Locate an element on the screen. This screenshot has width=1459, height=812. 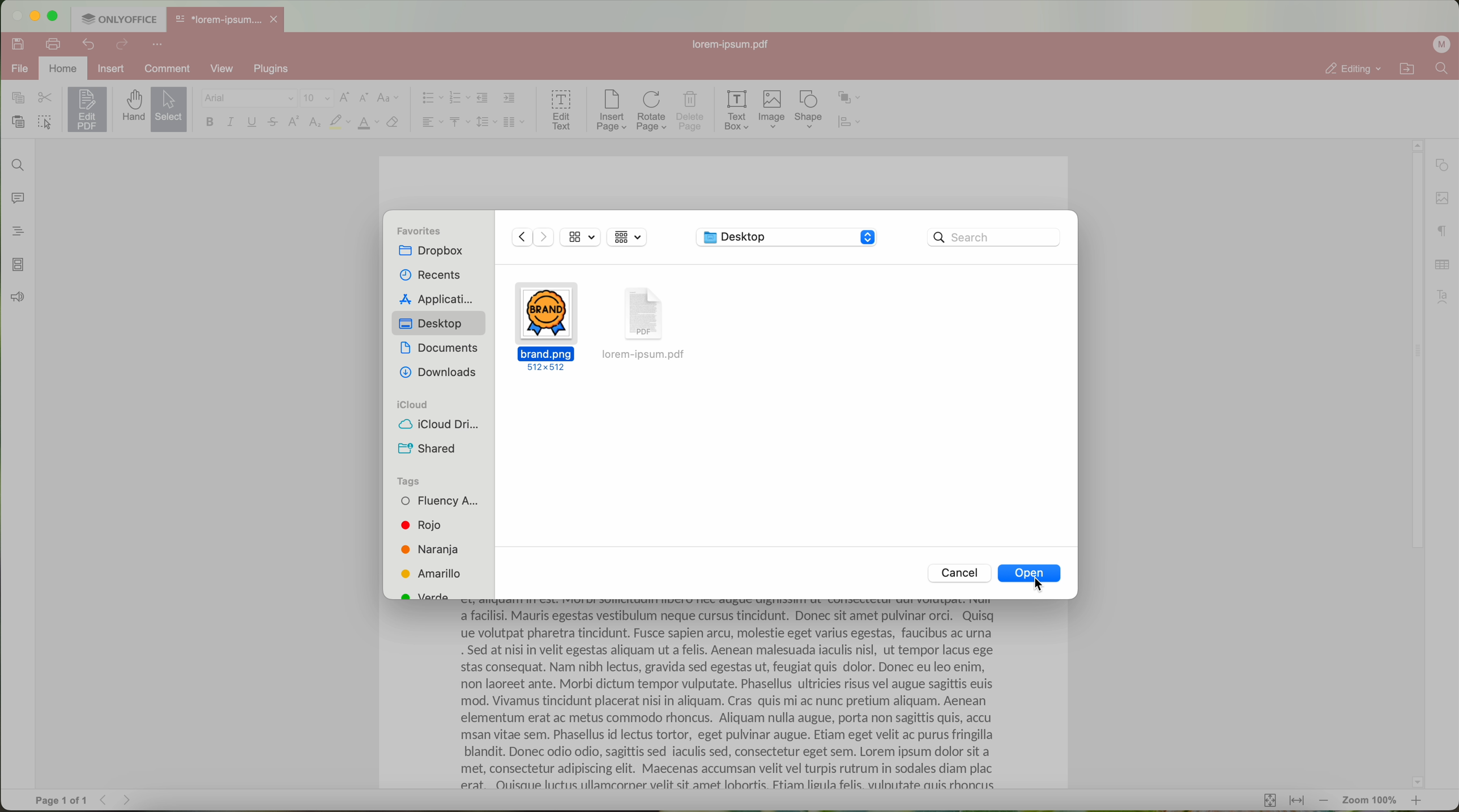
table settings is located at coordinates (1442, 264).